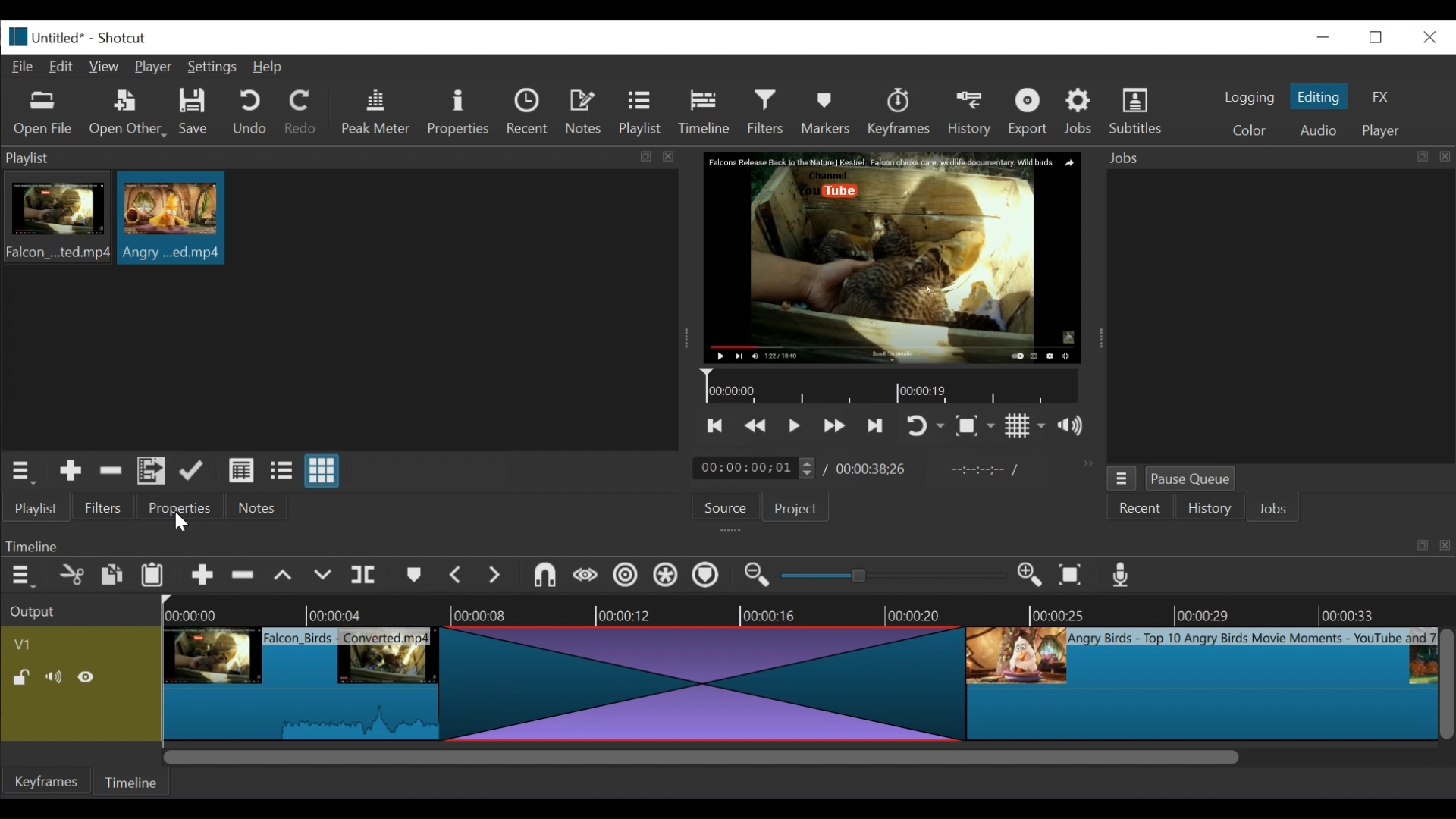 This screenshot has width=1456, height=819. Describe the element at coordinates (105, 67) in the screenshot. I see `View` at that location.